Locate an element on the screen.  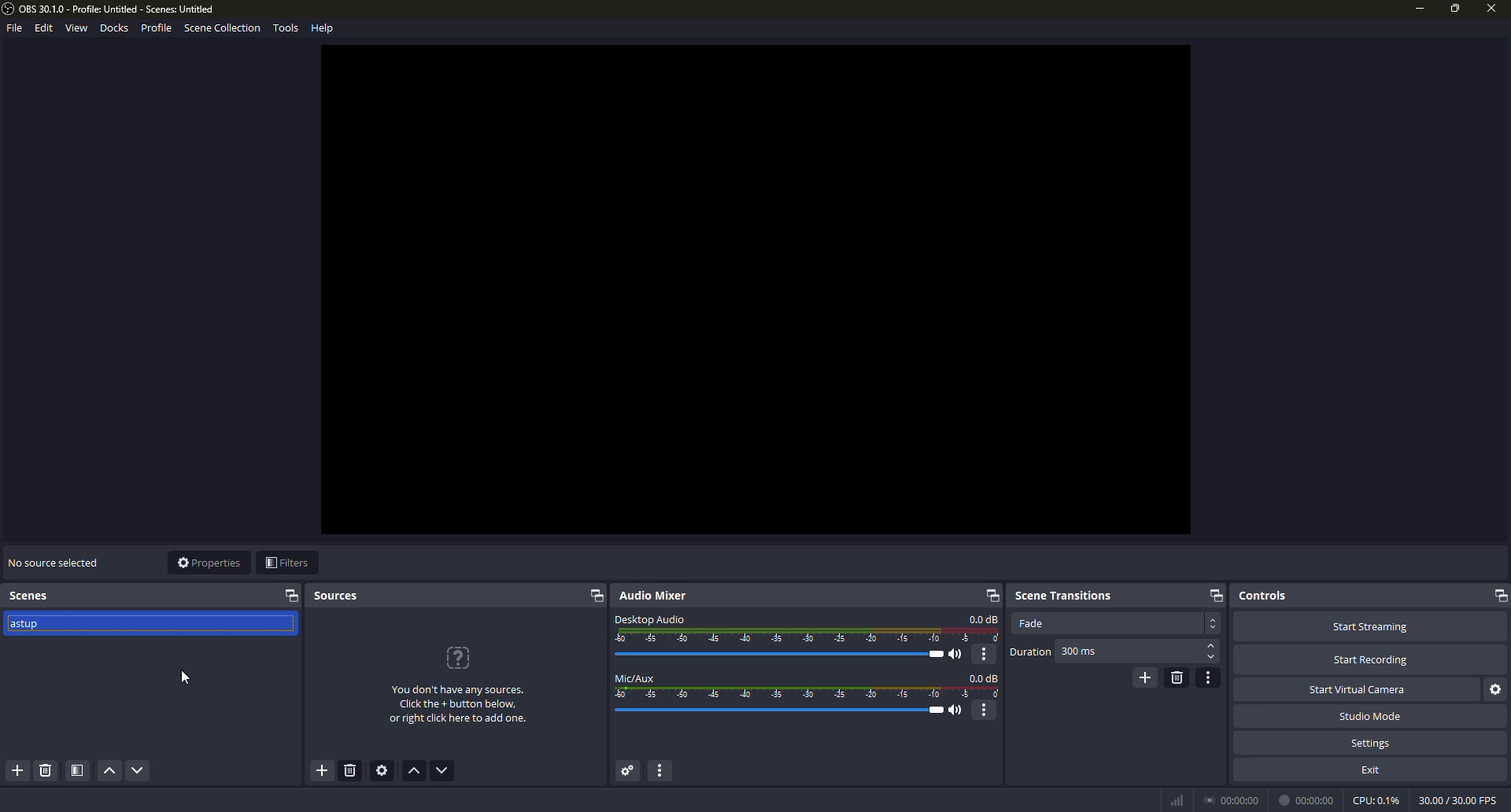
drop down is located at coordinates (1214, 623).